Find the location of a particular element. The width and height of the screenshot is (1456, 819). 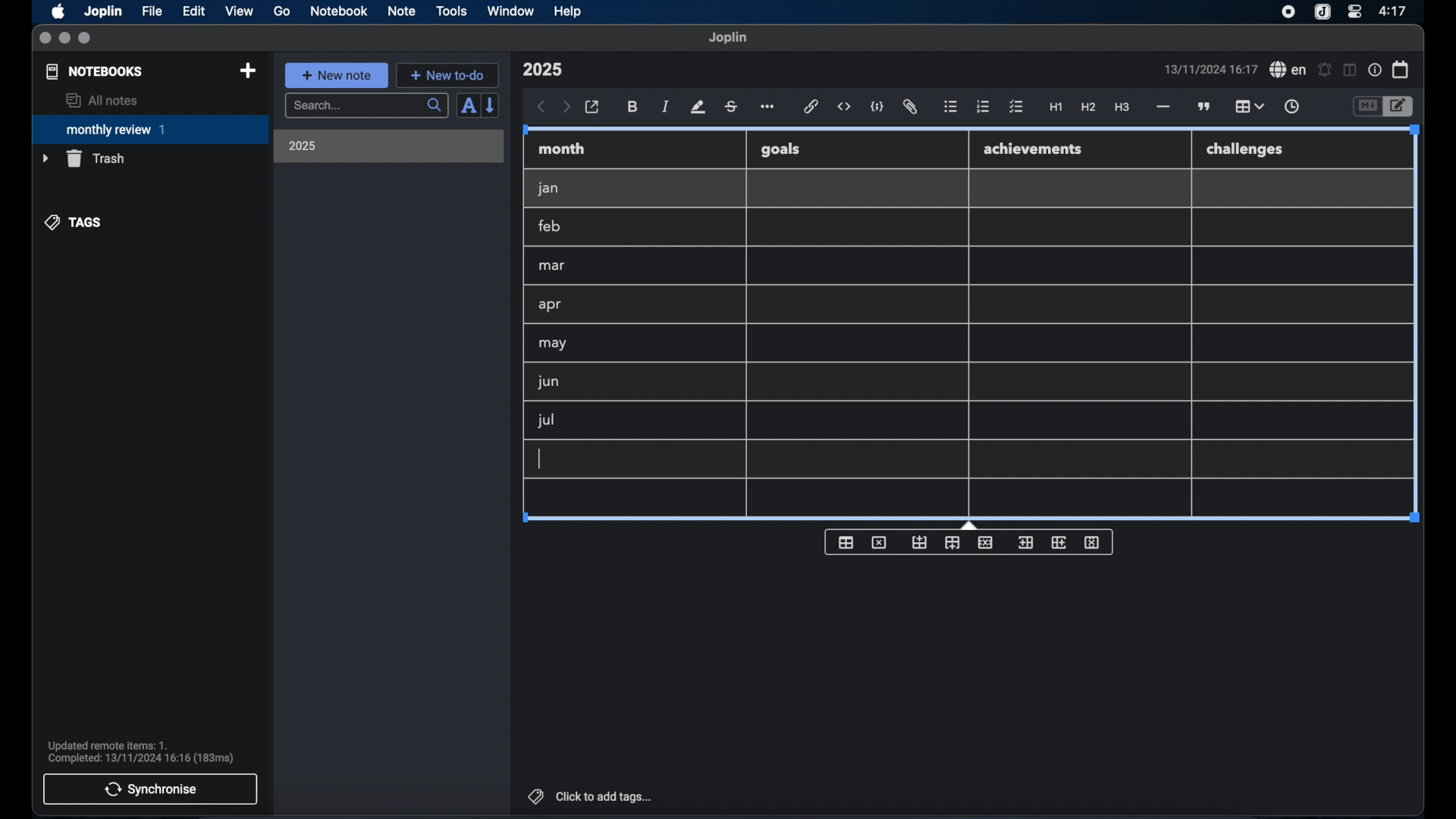

time is located at coordinates (1395, 11).